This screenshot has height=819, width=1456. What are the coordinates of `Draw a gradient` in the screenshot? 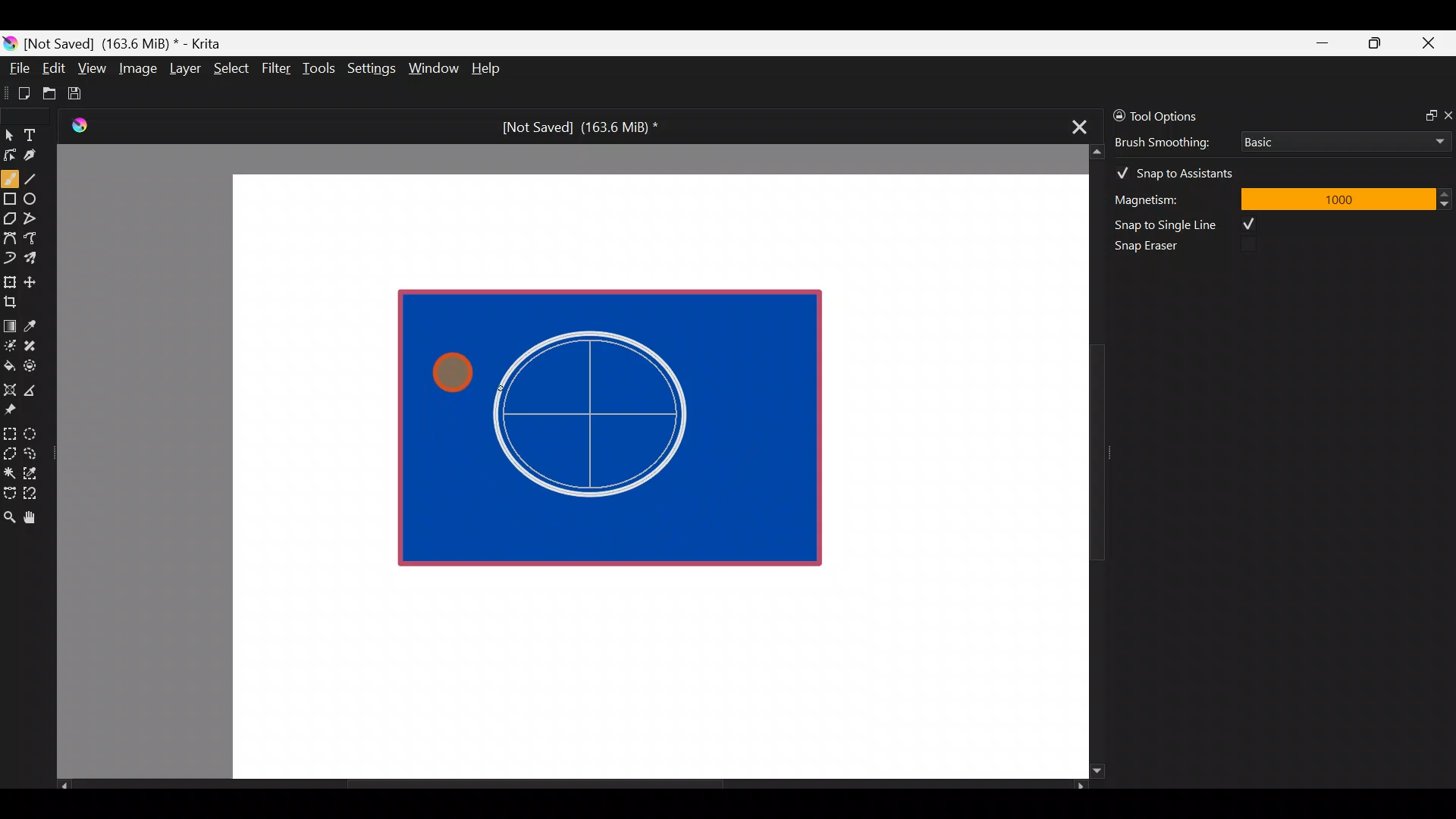 It's located at (9, 322).